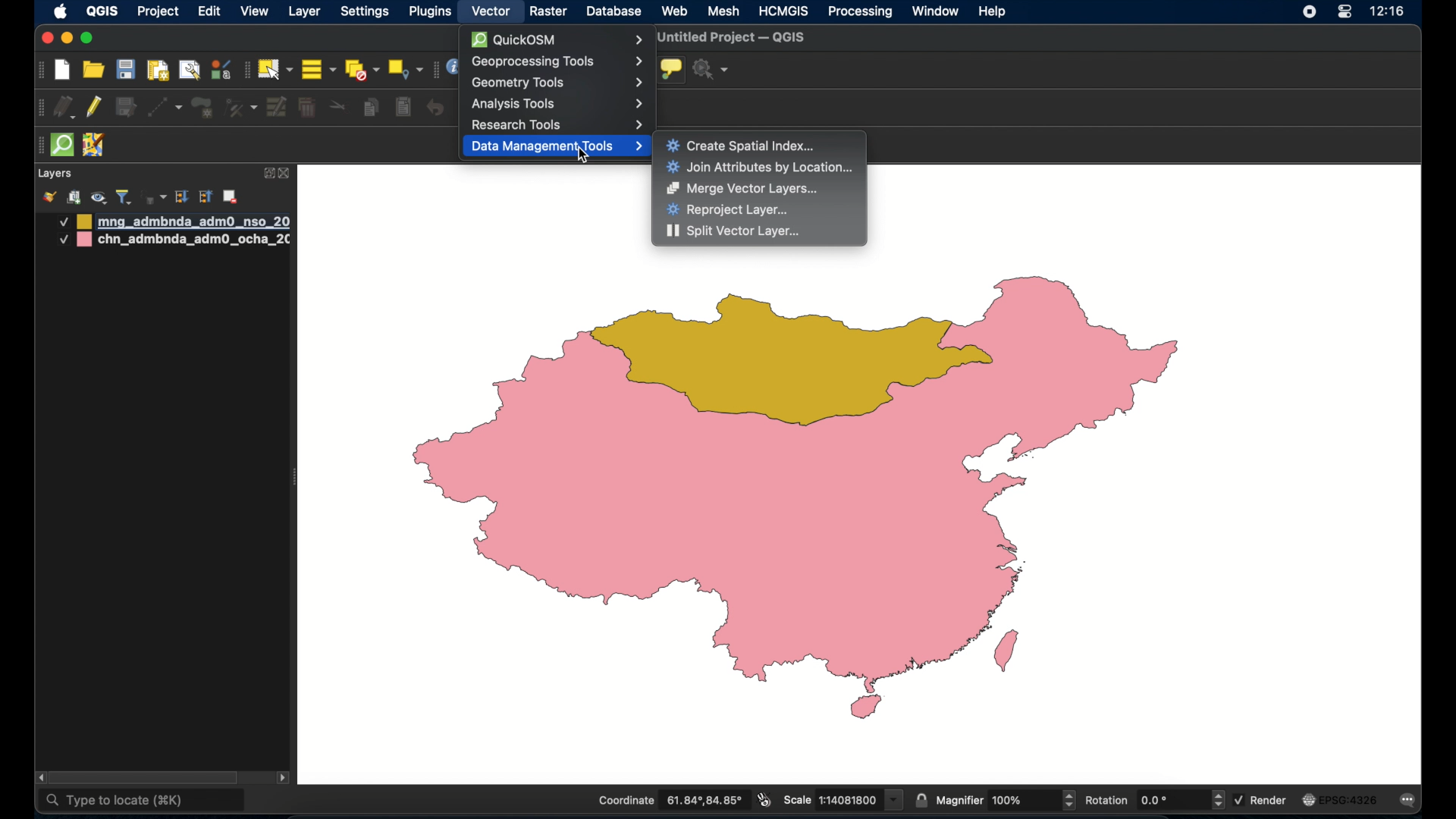 The width and height of the screenshot is (1456, 819). What do you see at coordinates (742, 145) in the screenshot?
I see `create spatial index` at bounding box center [742, 145].